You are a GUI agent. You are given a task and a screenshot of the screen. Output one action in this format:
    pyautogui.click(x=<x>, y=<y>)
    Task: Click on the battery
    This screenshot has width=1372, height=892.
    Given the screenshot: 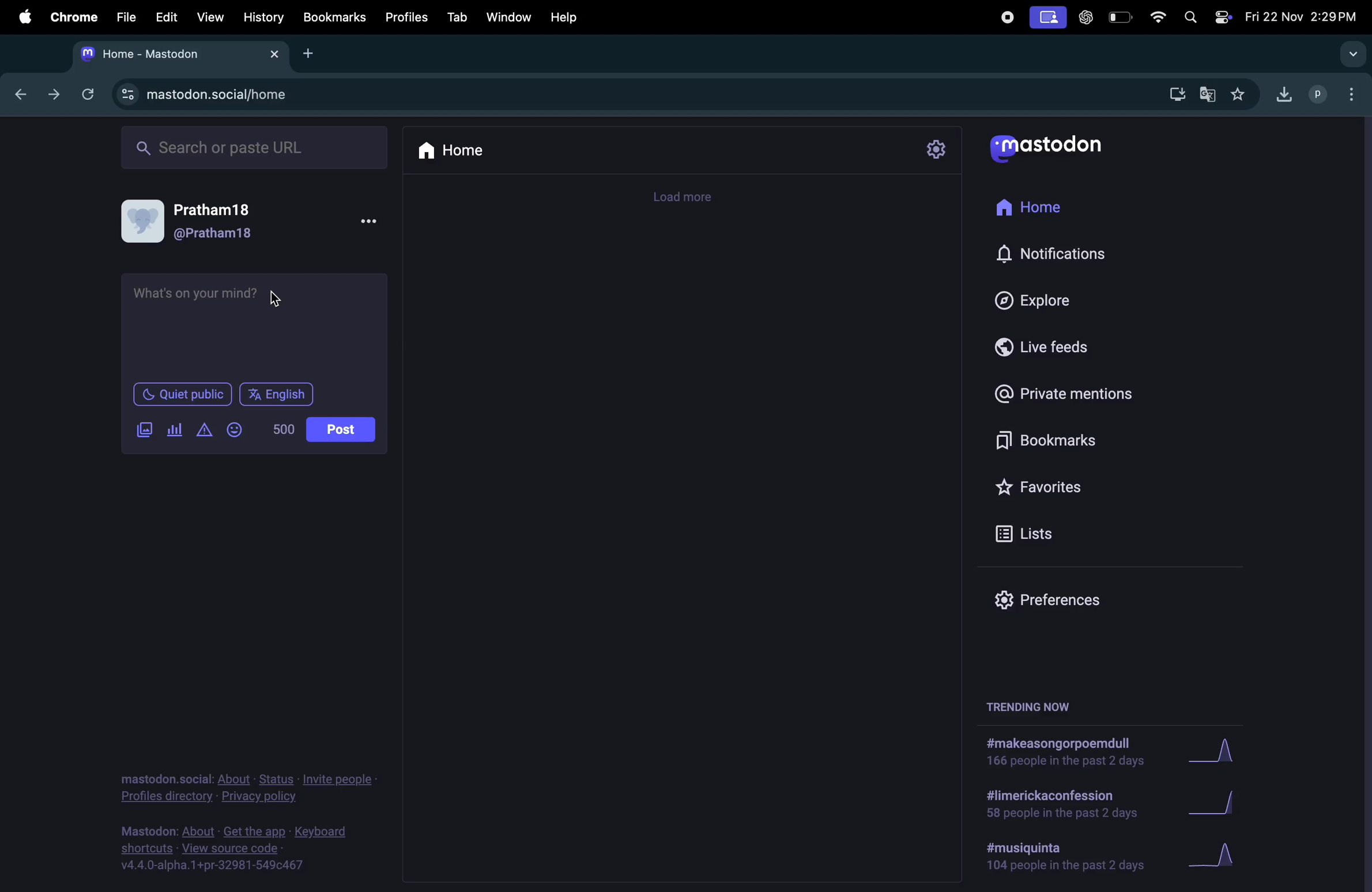 What is the action you would take?
    pyautogui.click(x=1122, y=17)
    